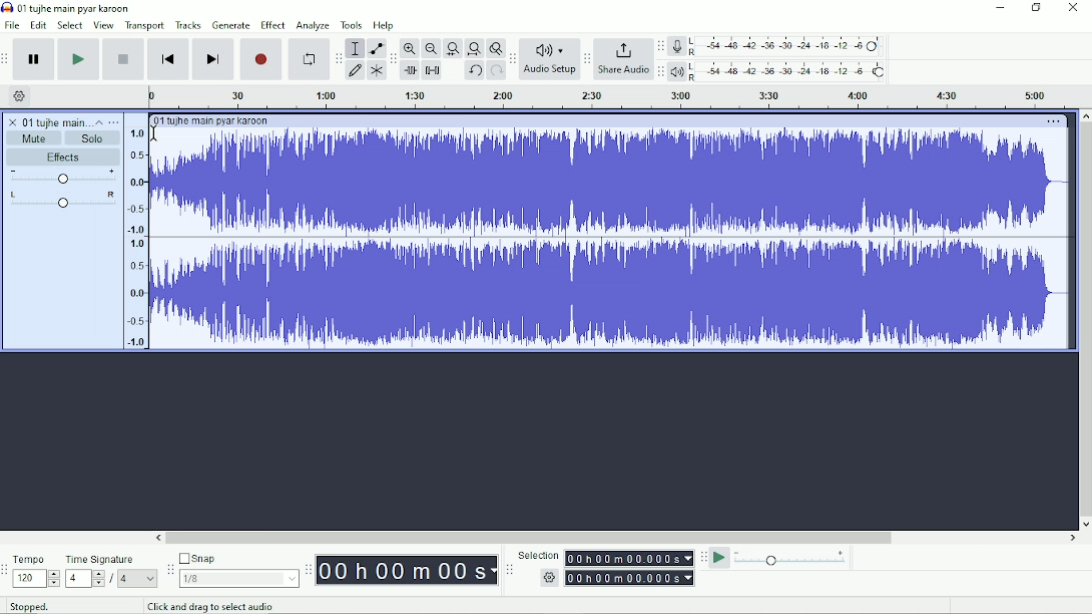 Image resolution: width=1092 pixels, height=614 pixels. Describe the element at coordinates (145, 26) in the screenshot. I see `Transport` at that location.